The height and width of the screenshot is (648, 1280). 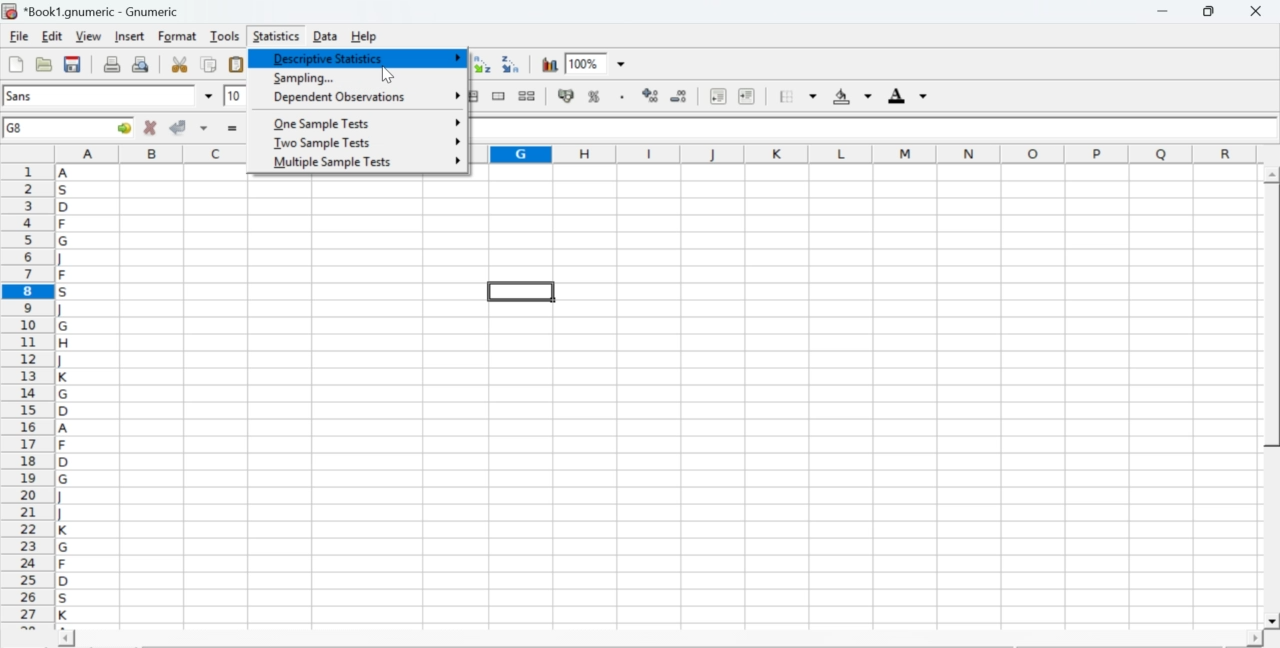 I want to click on cursor, so click(x=387, y=76).